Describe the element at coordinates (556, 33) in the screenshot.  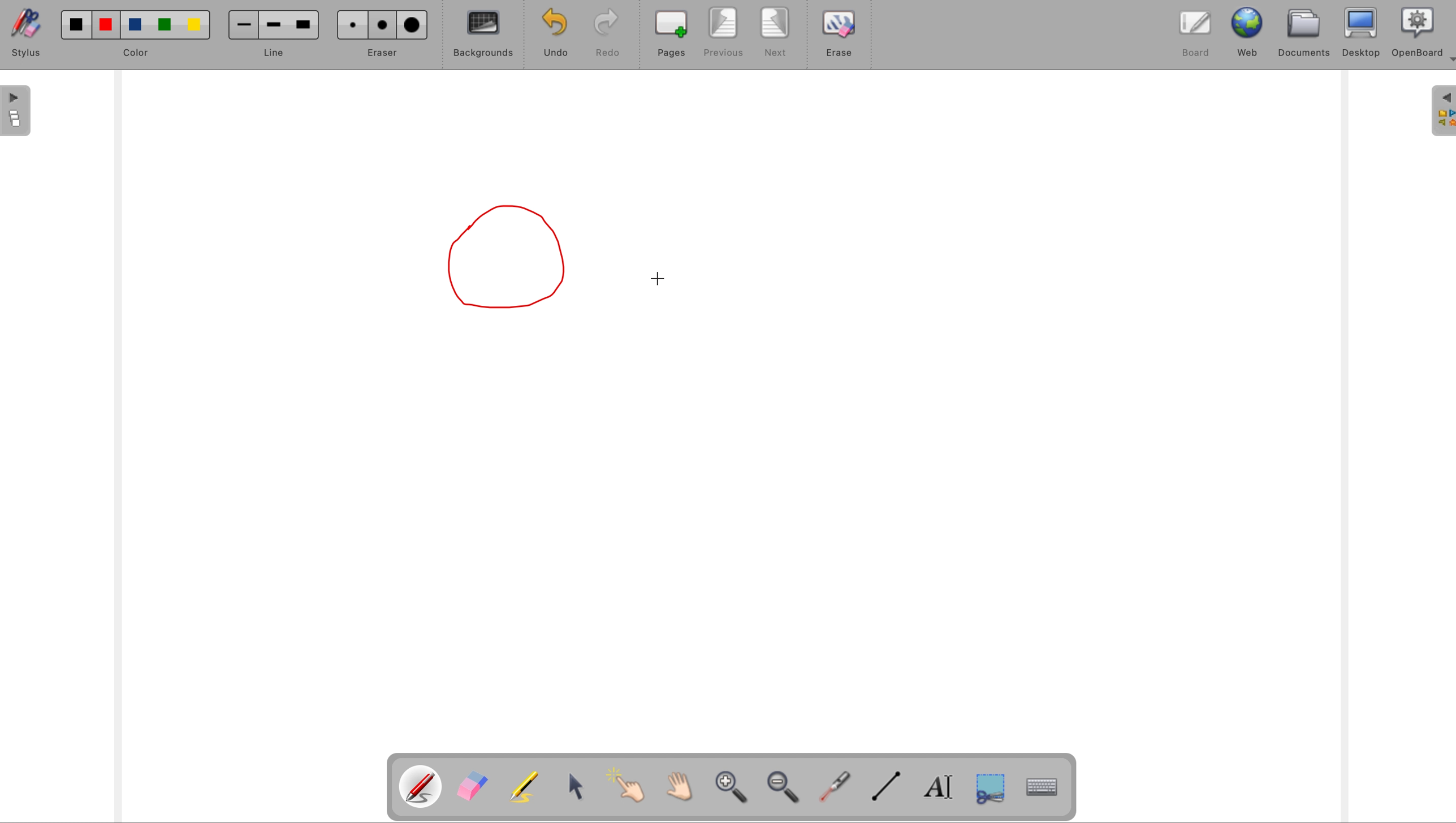
I see `undo` at that location.